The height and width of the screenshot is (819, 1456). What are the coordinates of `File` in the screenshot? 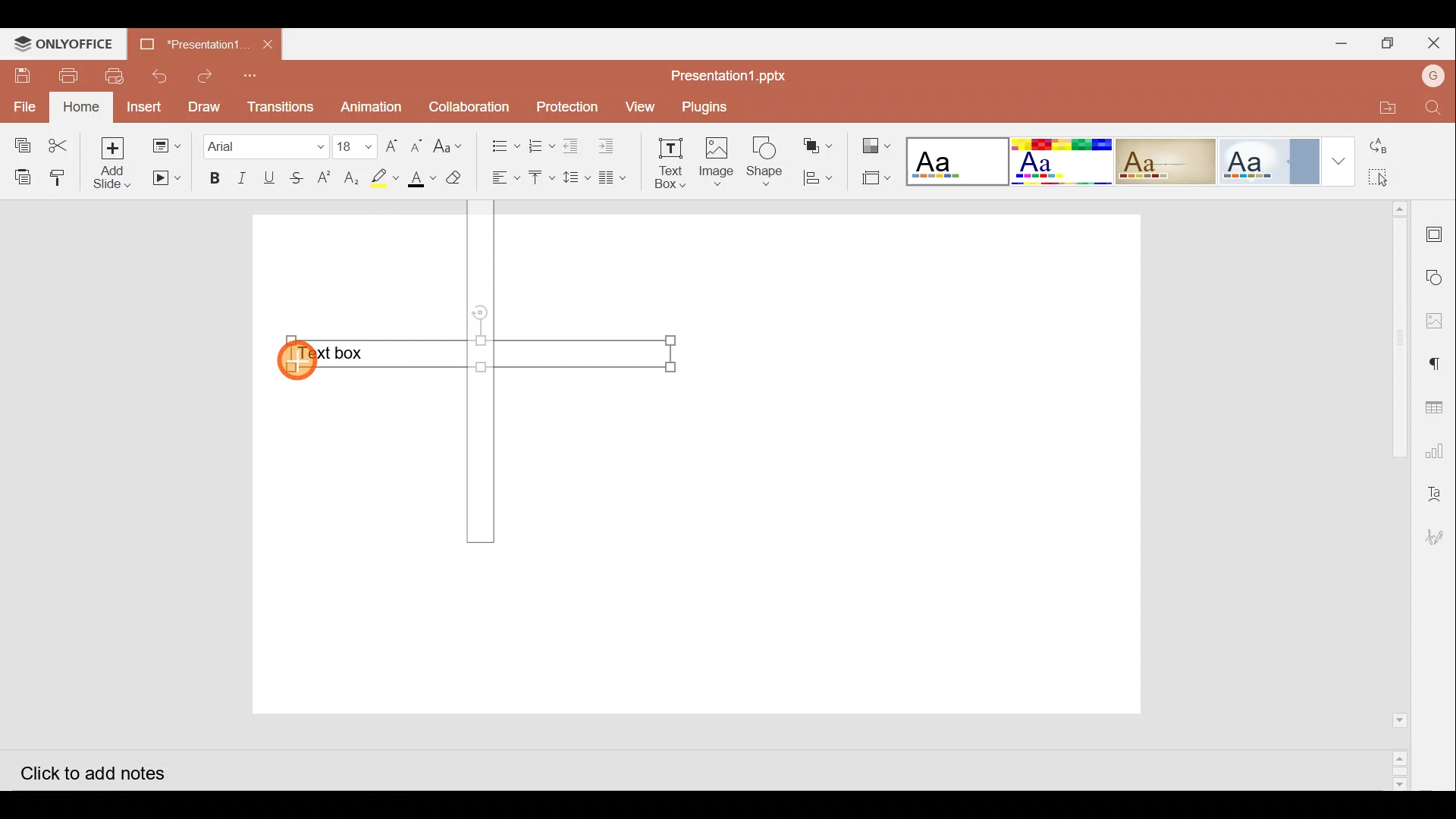 It's located at (26, 105).